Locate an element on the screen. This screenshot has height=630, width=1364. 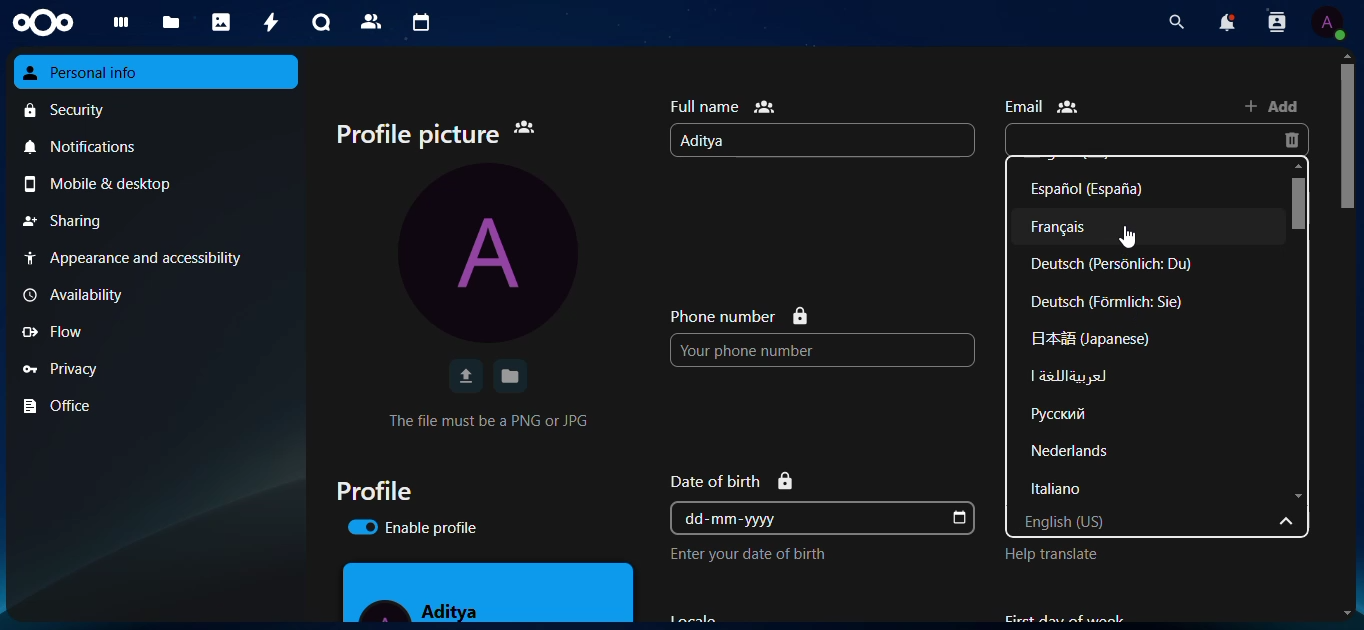
date of birth is located at coordinates (737, 479).